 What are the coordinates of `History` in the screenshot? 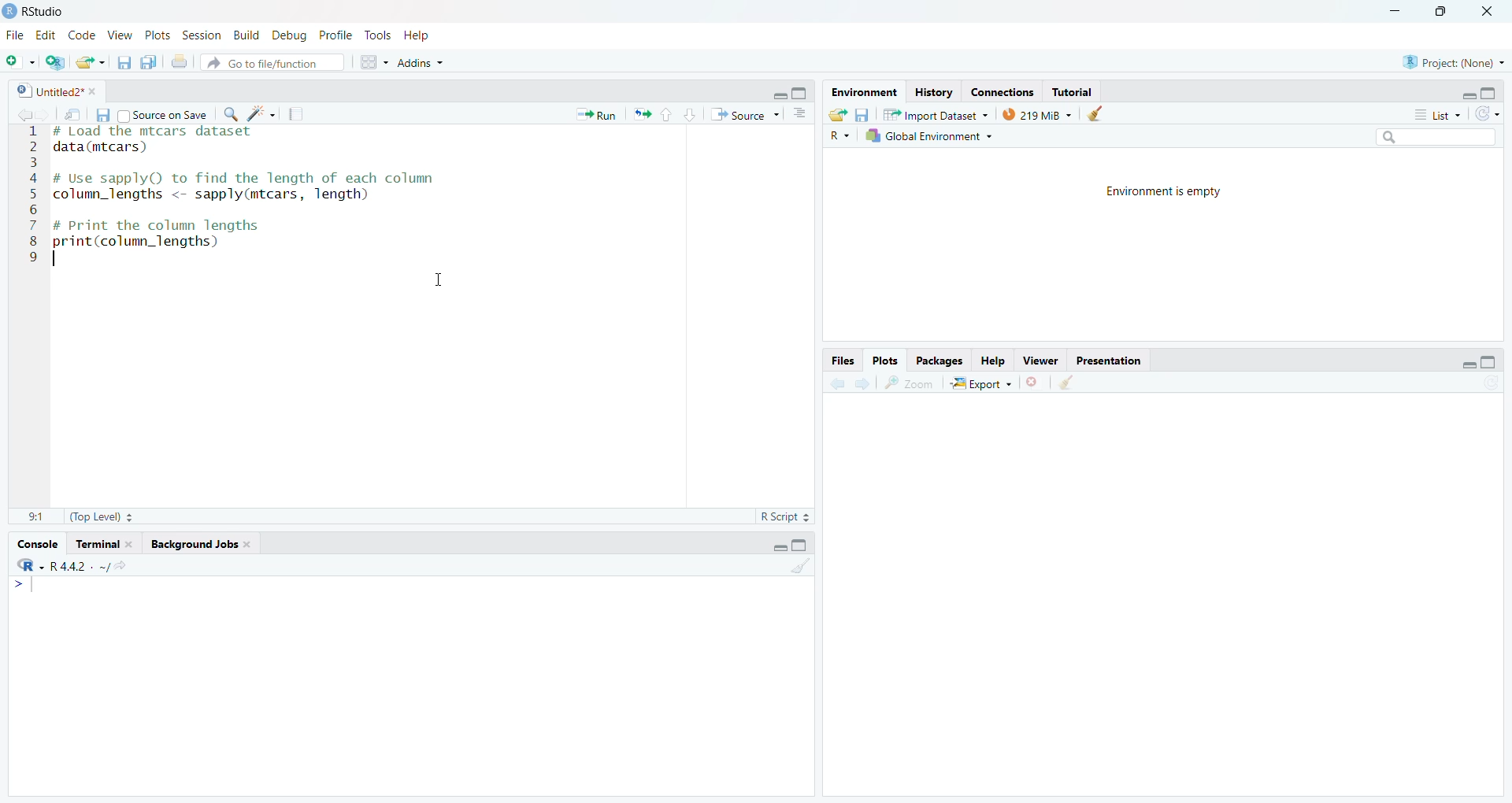 It's located at (933, 92).